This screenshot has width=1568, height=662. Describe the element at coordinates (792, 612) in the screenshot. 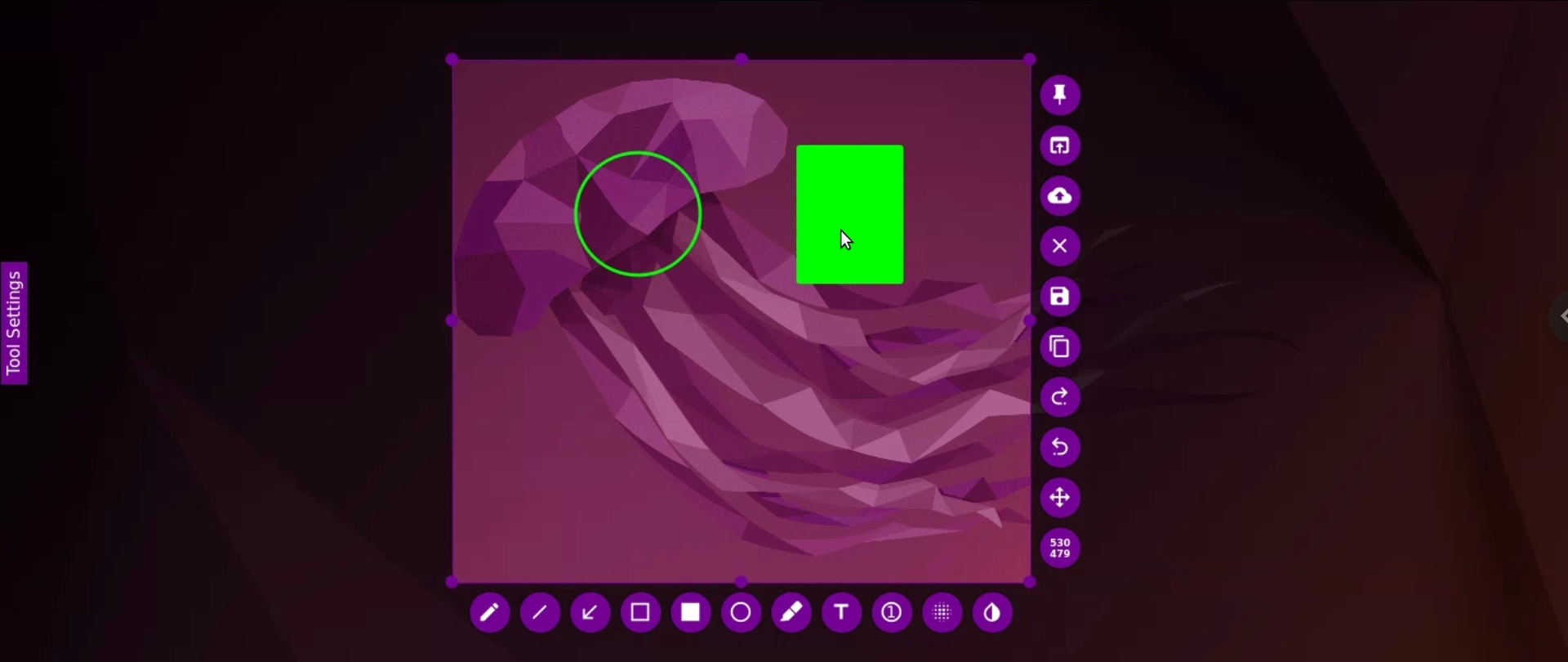

I see `marker` at that location.